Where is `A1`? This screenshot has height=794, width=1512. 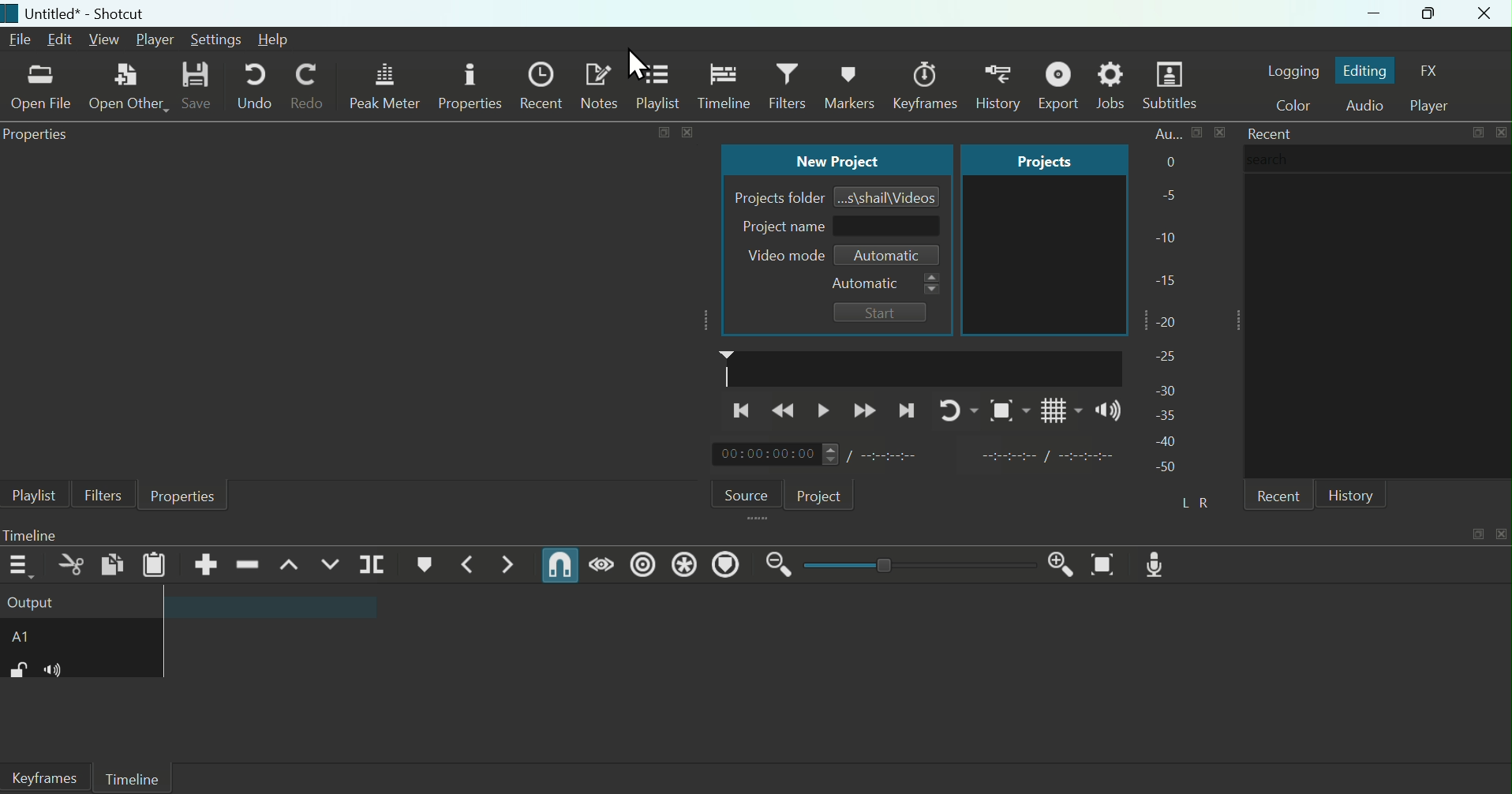 A1 is located at coordinates (38, 639).